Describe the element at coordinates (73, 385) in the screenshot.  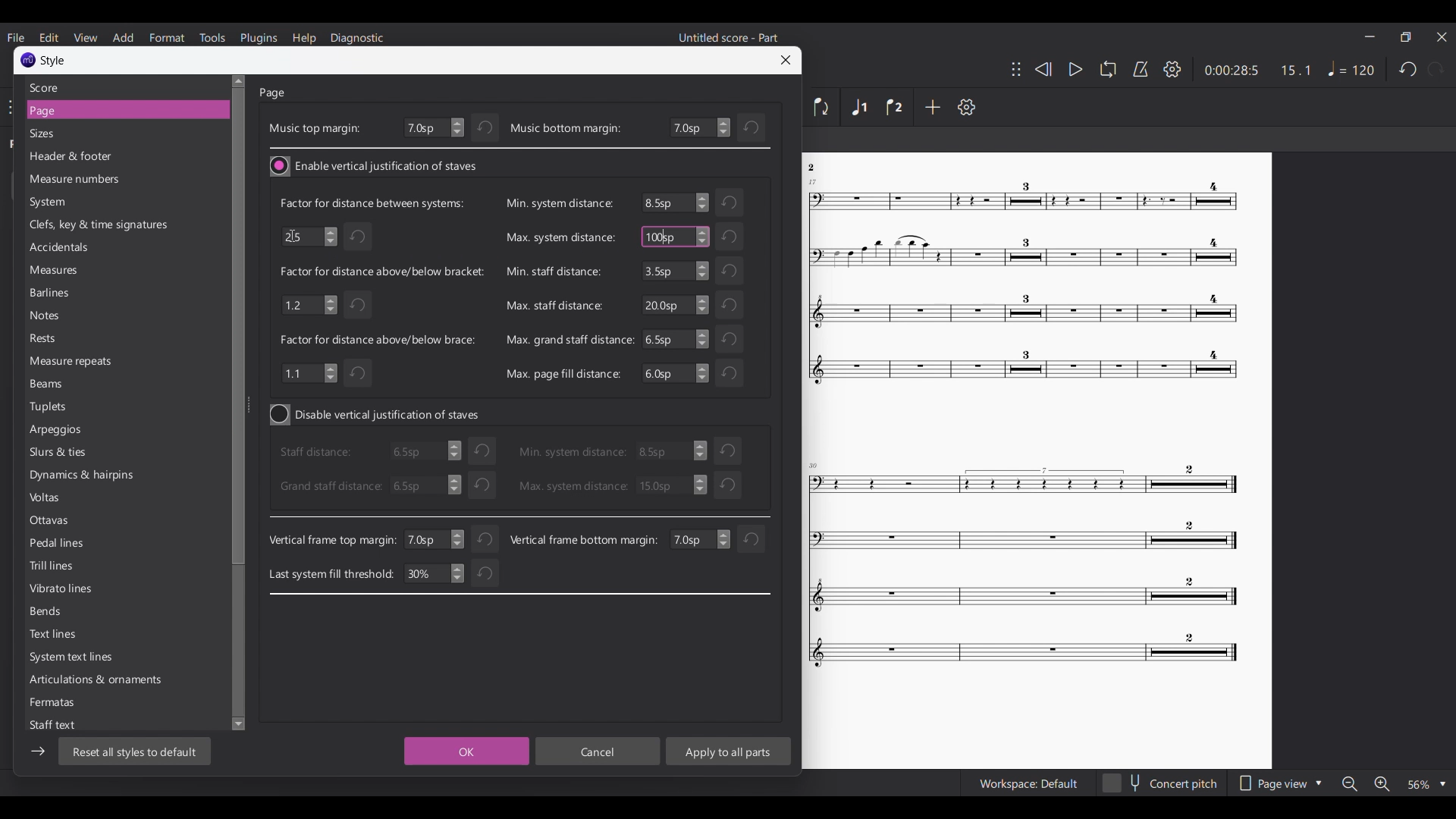
I see `Beams` at that location.